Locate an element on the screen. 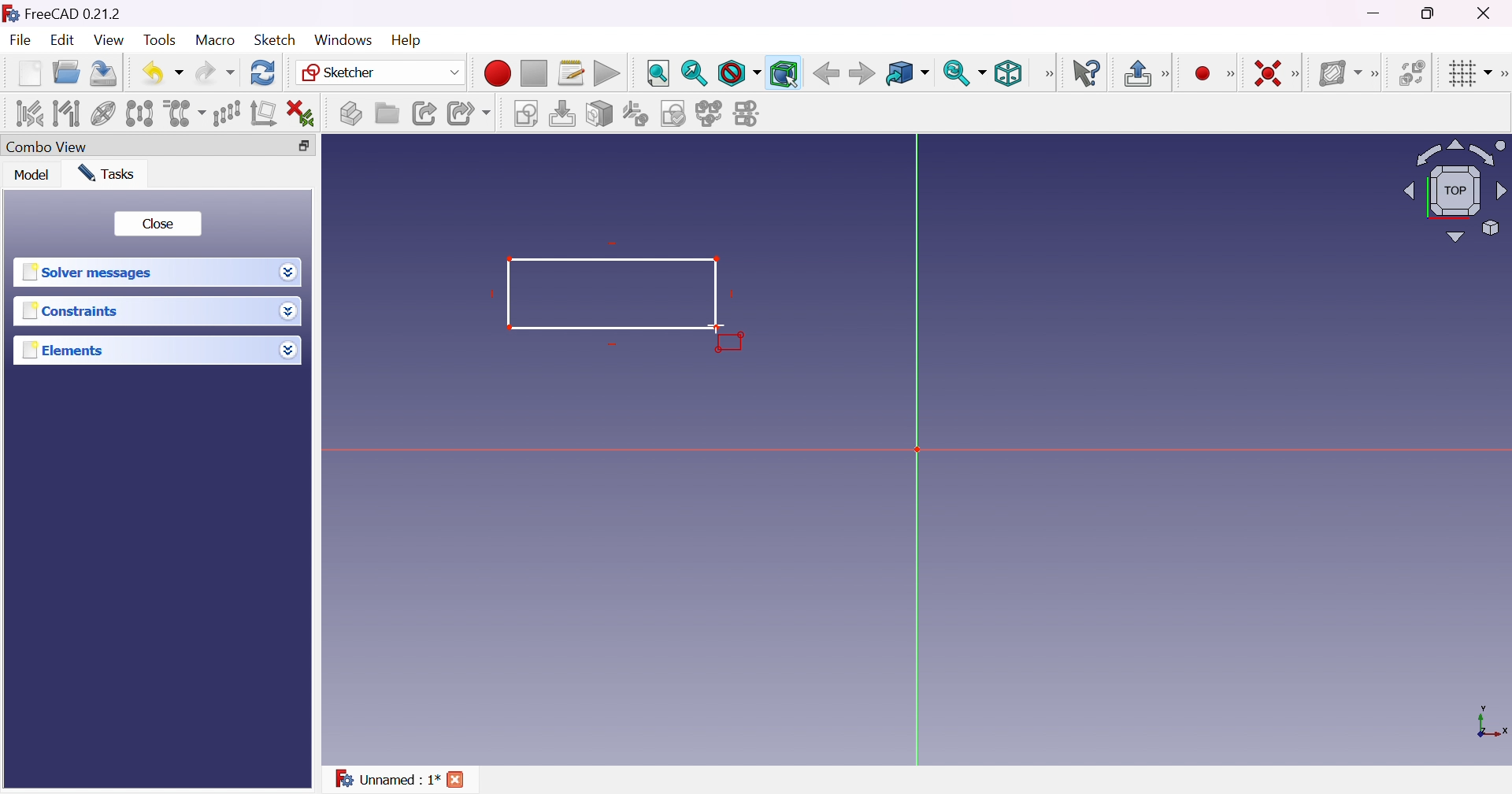  Drop down is located at coordinates (288, 310).